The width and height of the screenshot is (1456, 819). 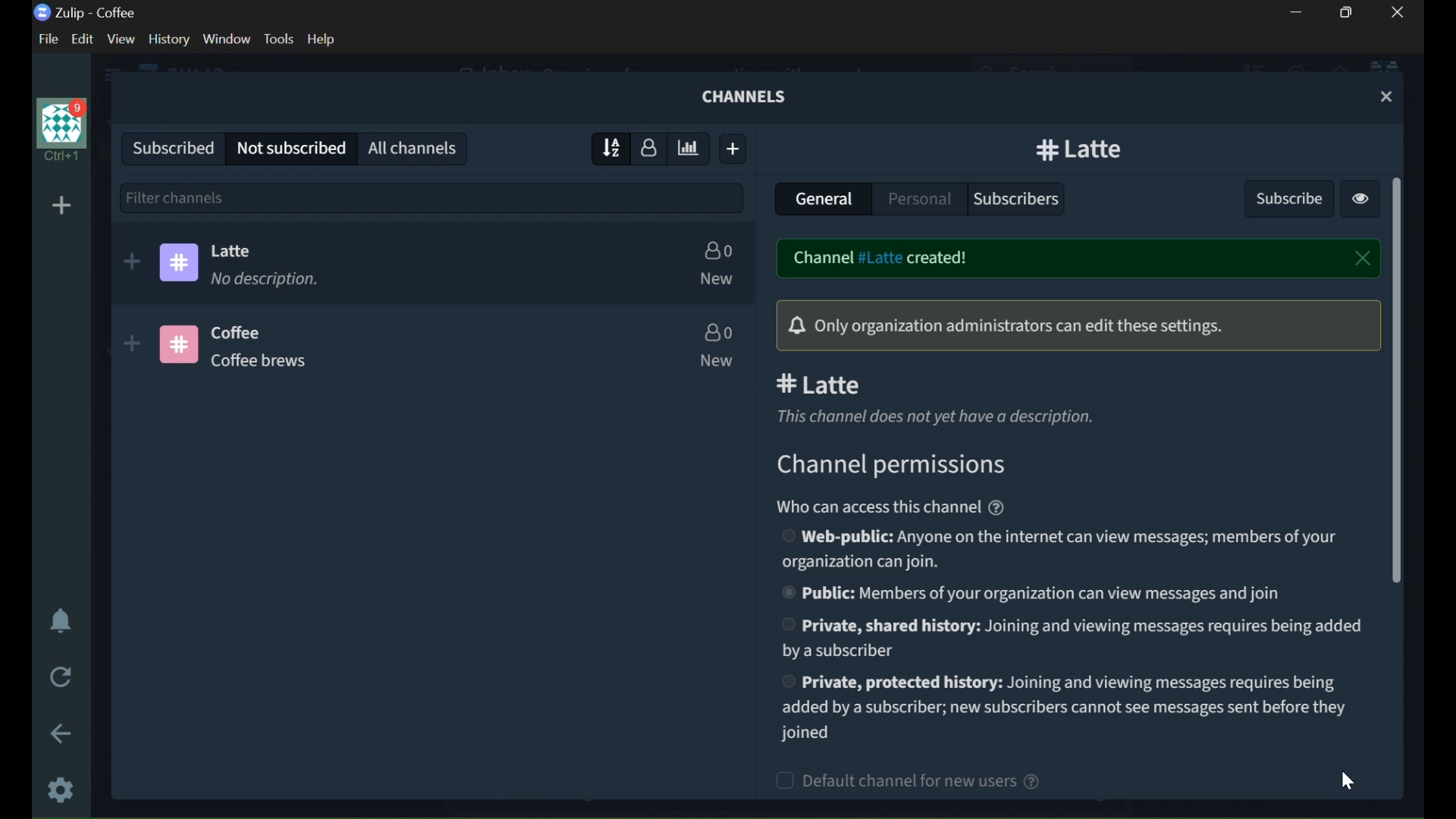 I want to click on GO BACK, so click(x=63, y=733).